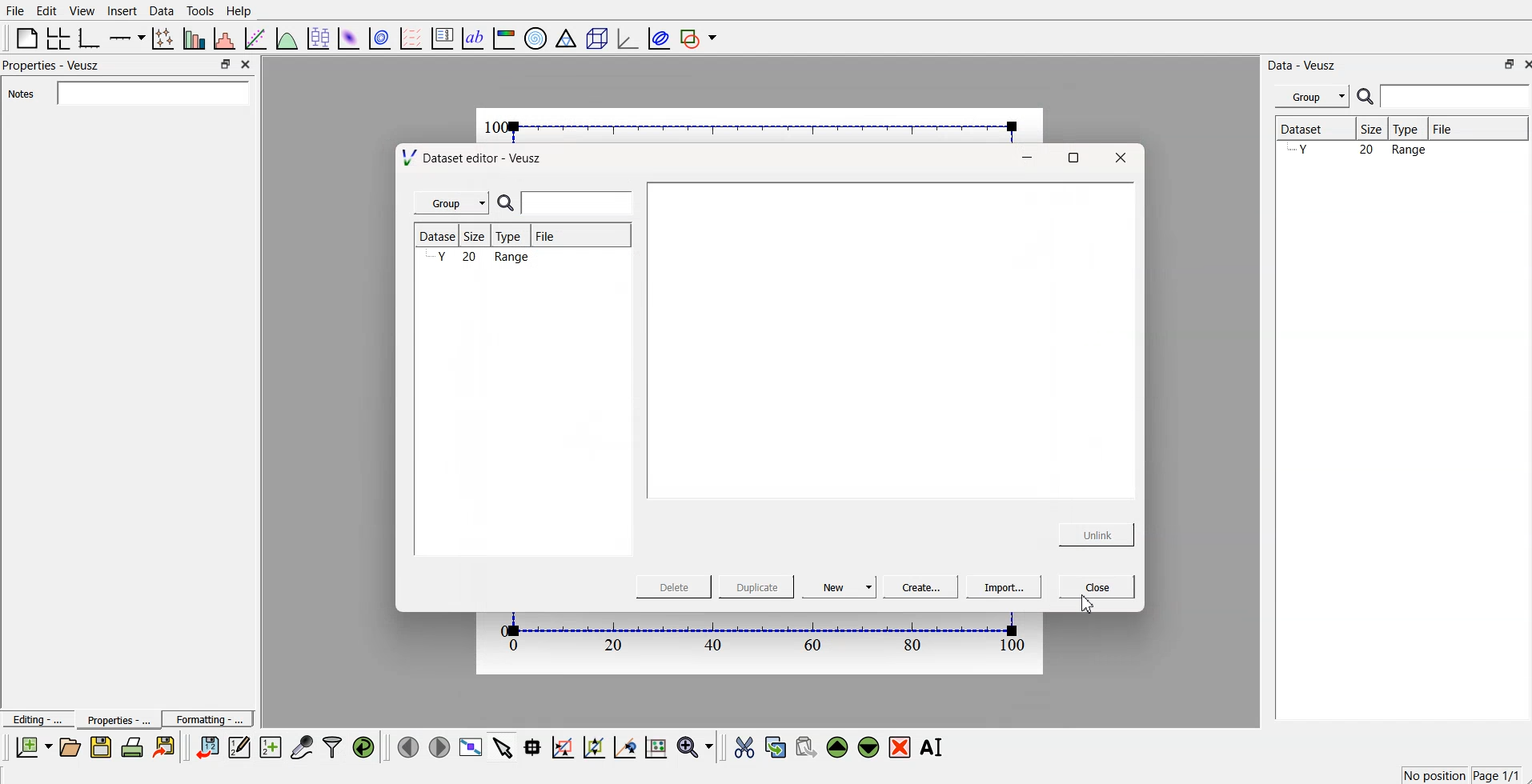 The image size is (1532, 784). Describe the element at coordinates (932, 747) in the screenshot. I see `rename the selected widget` at that location.